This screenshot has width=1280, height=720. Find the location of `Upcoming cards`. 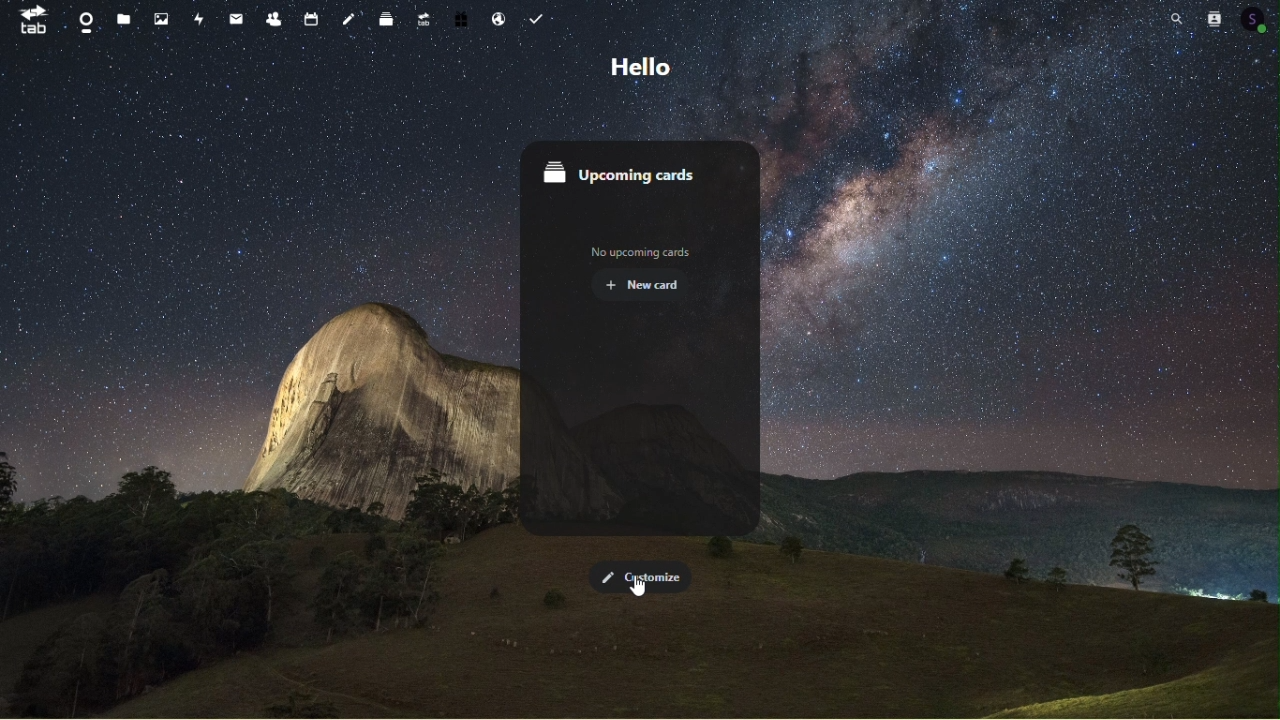

Upcoming cards is located at coordinates (639, 172).